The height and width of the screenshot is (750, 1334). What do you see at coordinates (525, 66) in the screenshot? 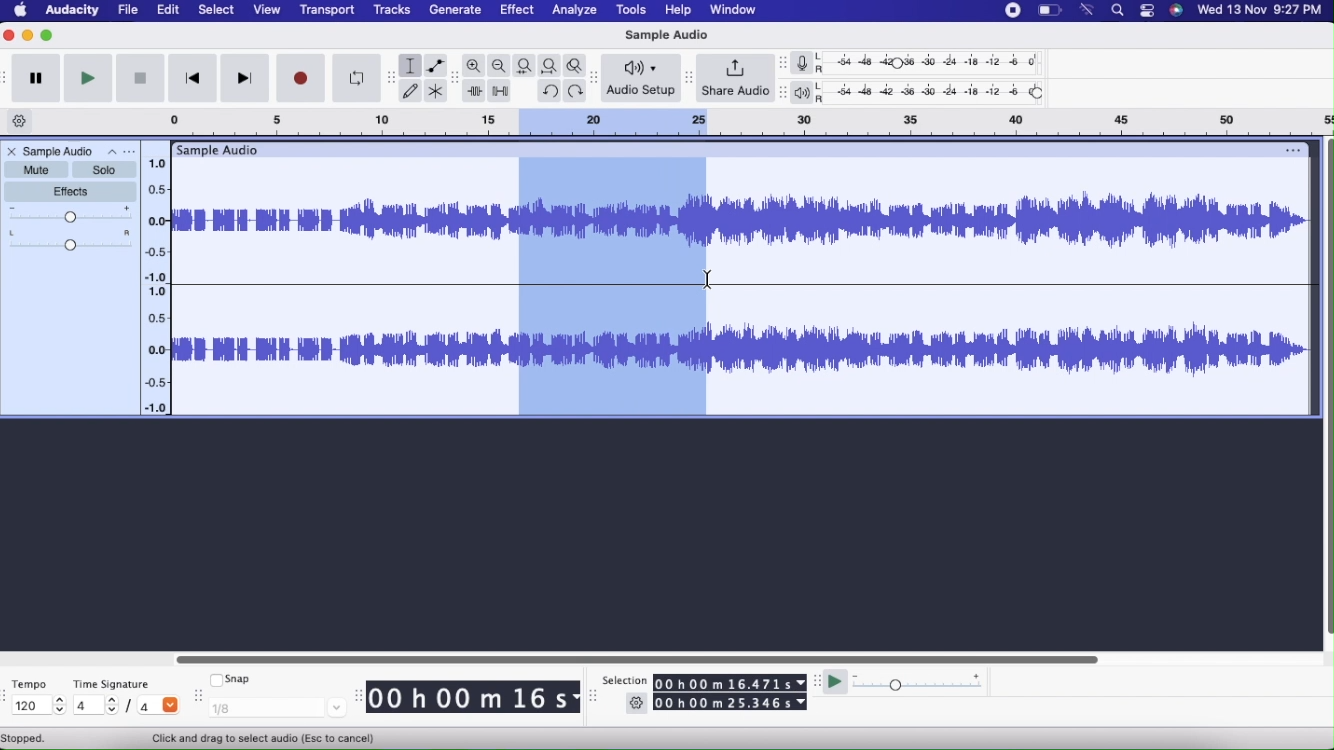
I see `Fit selection to width` at bounding box center [525, 66].